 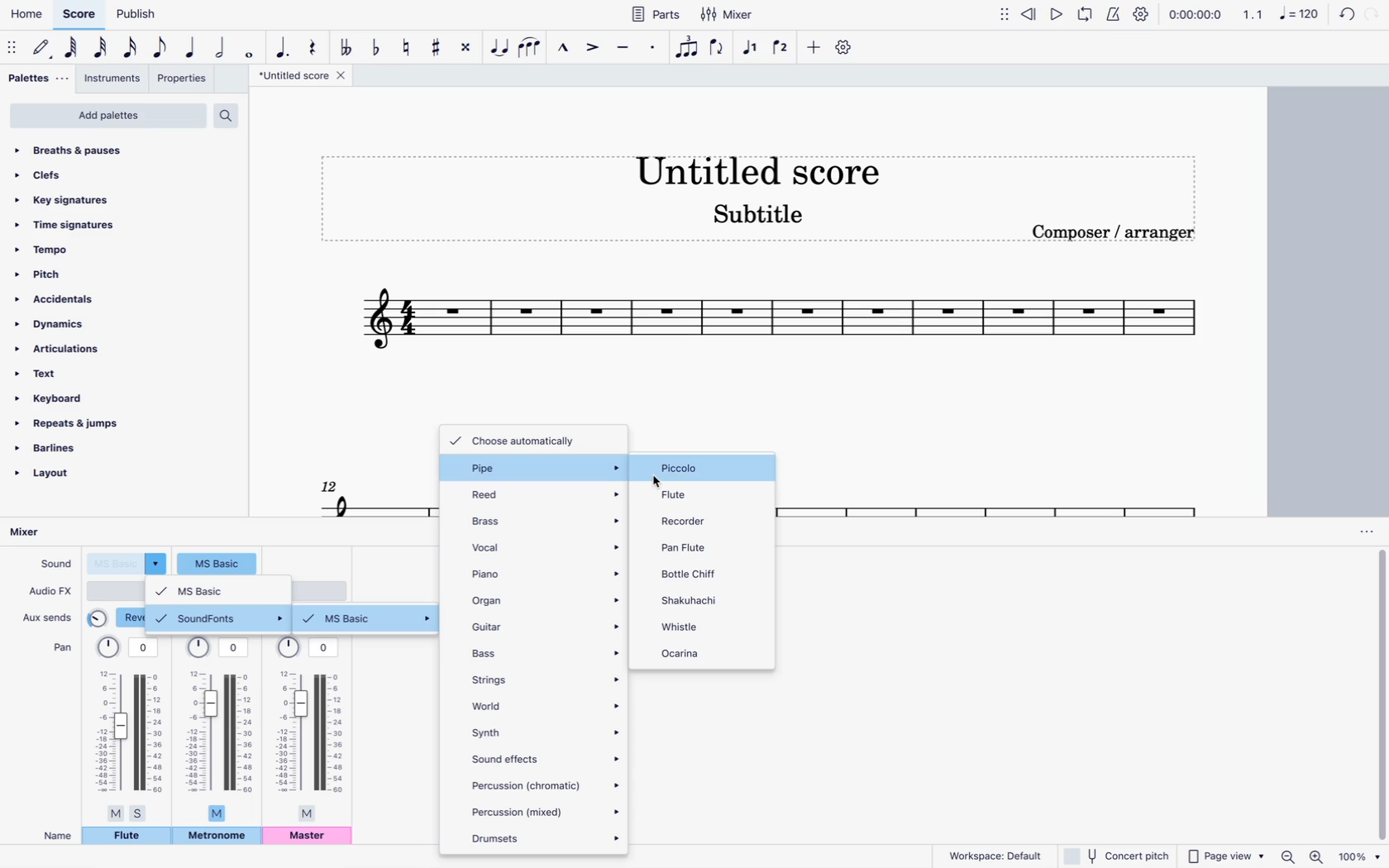 I want to click on audio type, so click(x=116, y=590).